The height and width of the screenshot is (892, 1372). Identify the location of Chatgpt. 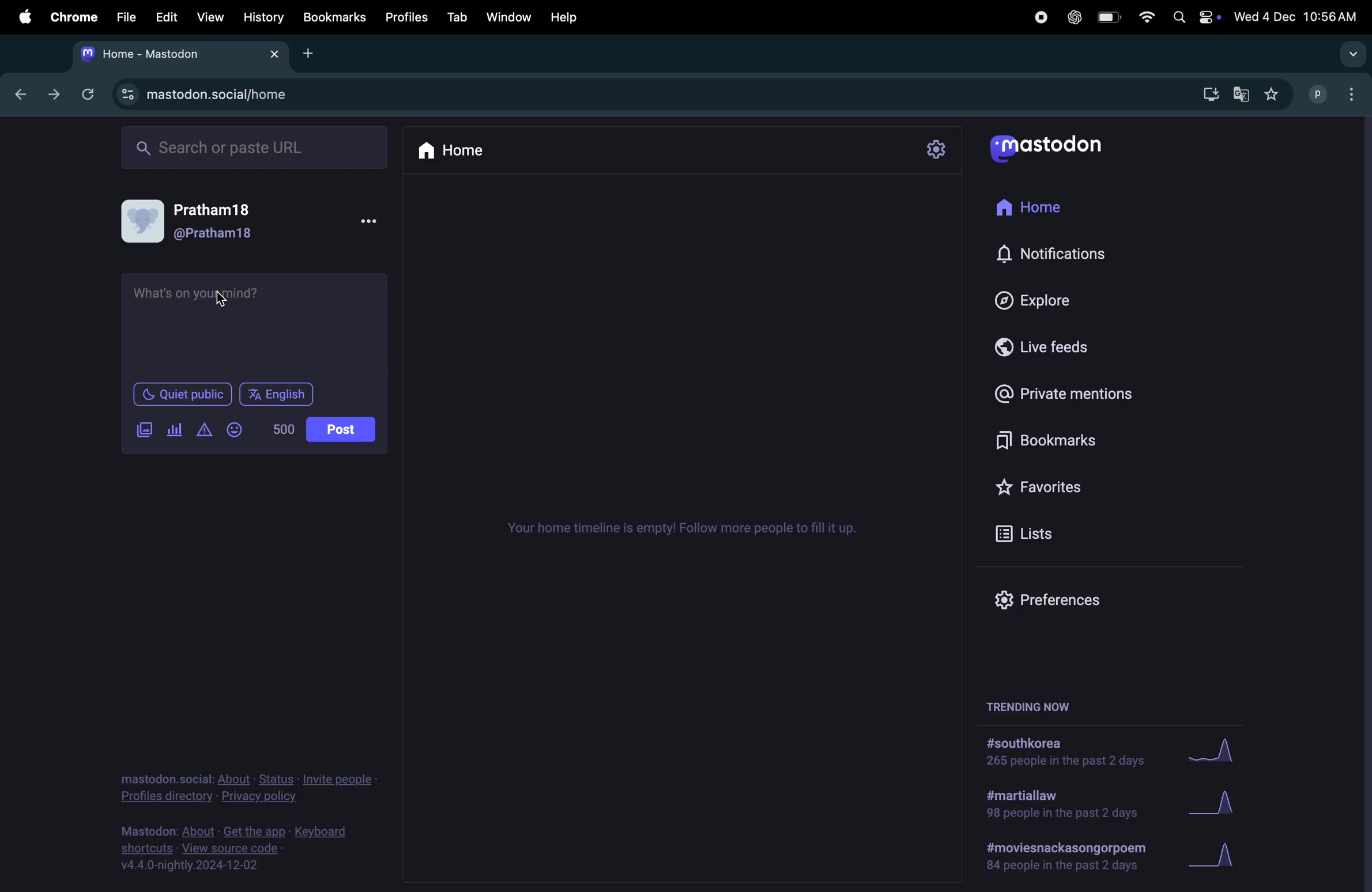
(1072, 17).